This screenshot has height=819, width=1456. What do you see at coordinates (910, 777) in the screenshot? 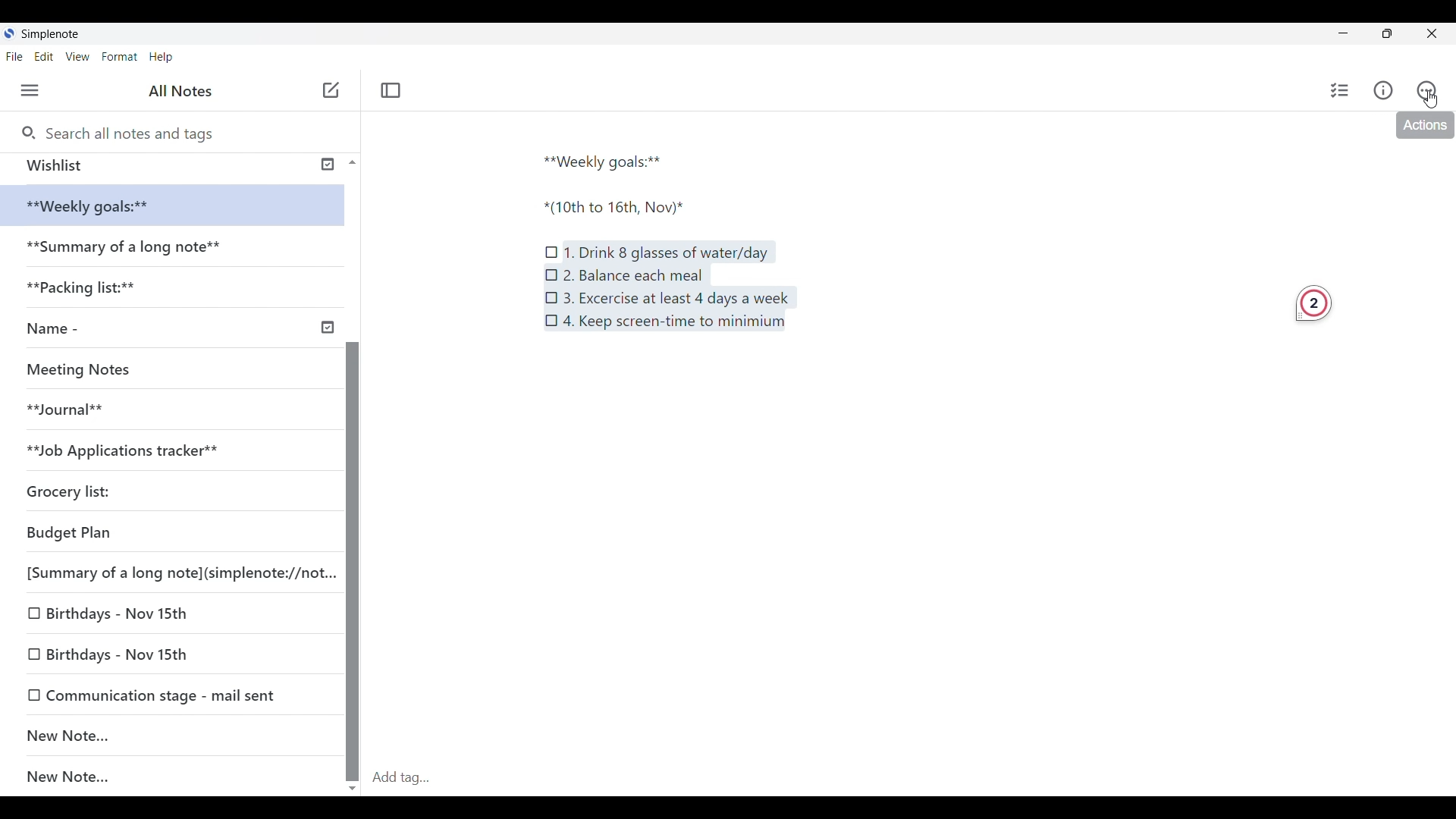
I see `Add tag` at bounding box center [910, 777].